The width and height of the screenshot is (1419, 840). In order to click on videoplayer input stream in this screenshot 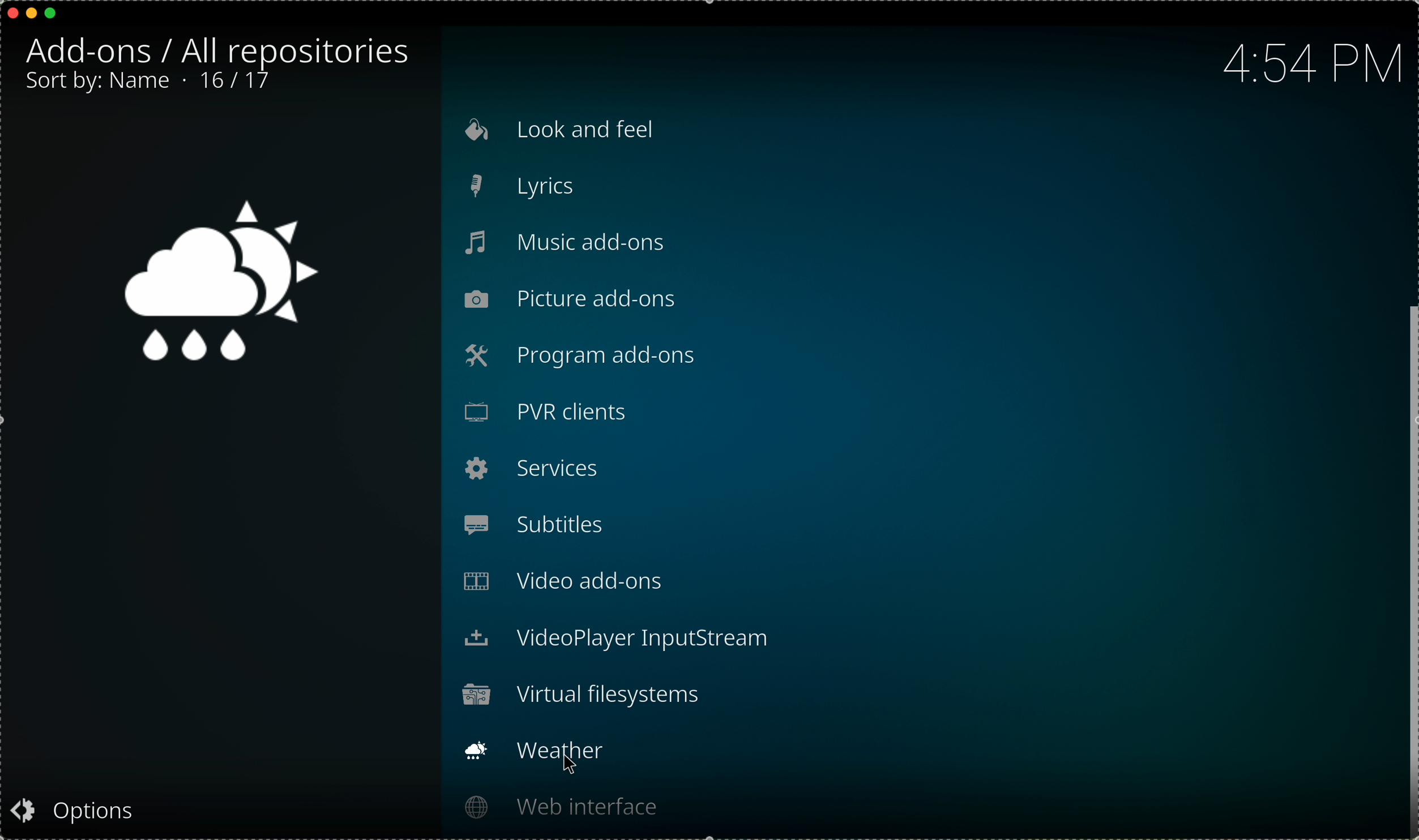, I will do `click(622, 639)`.